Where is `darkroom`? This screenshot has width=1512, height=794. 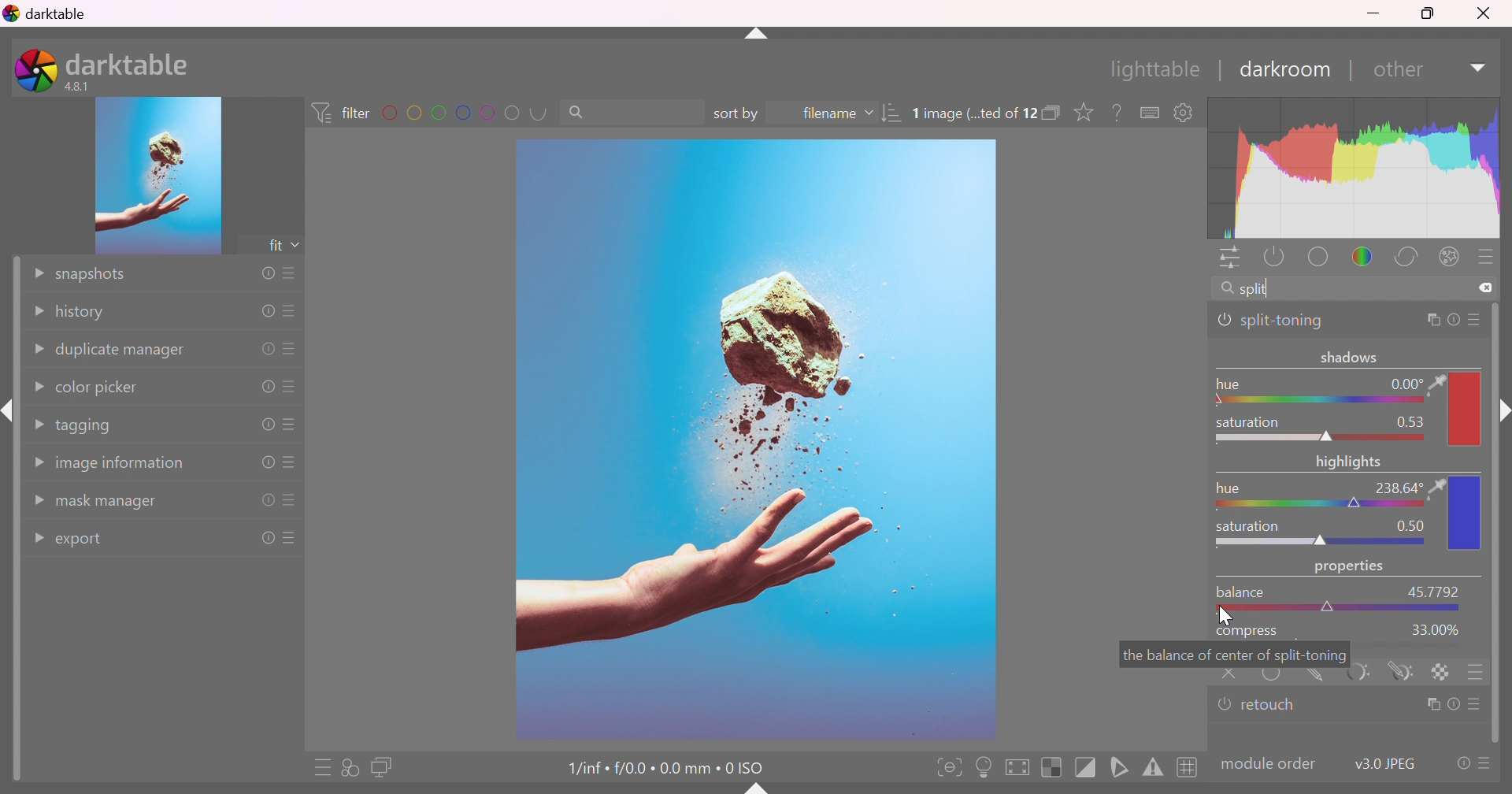
darkroom is located at coordinates (1291, 71).